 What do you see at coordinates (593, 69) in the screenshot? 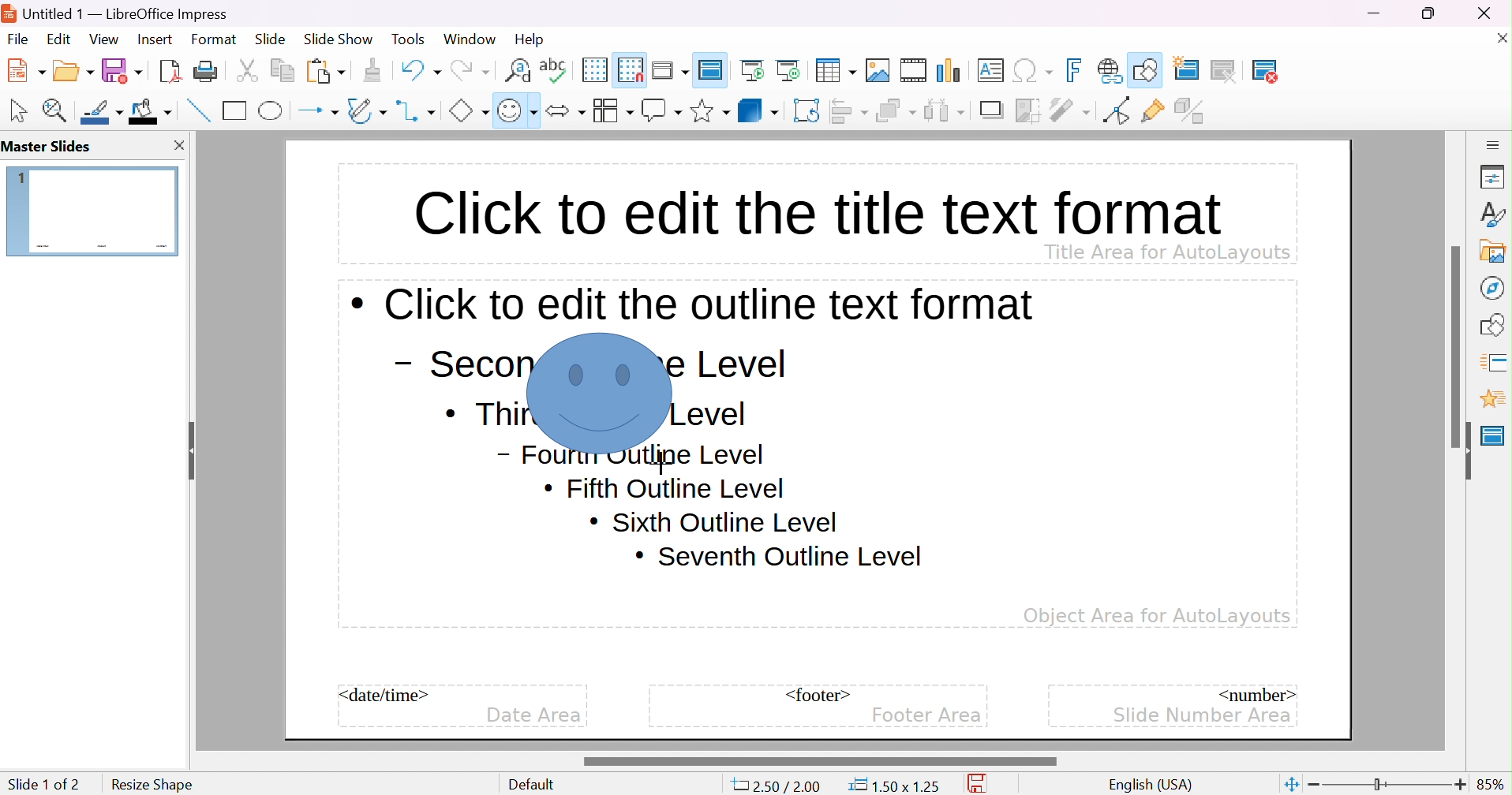
I see `display grid` at bounding box center [593, 69].